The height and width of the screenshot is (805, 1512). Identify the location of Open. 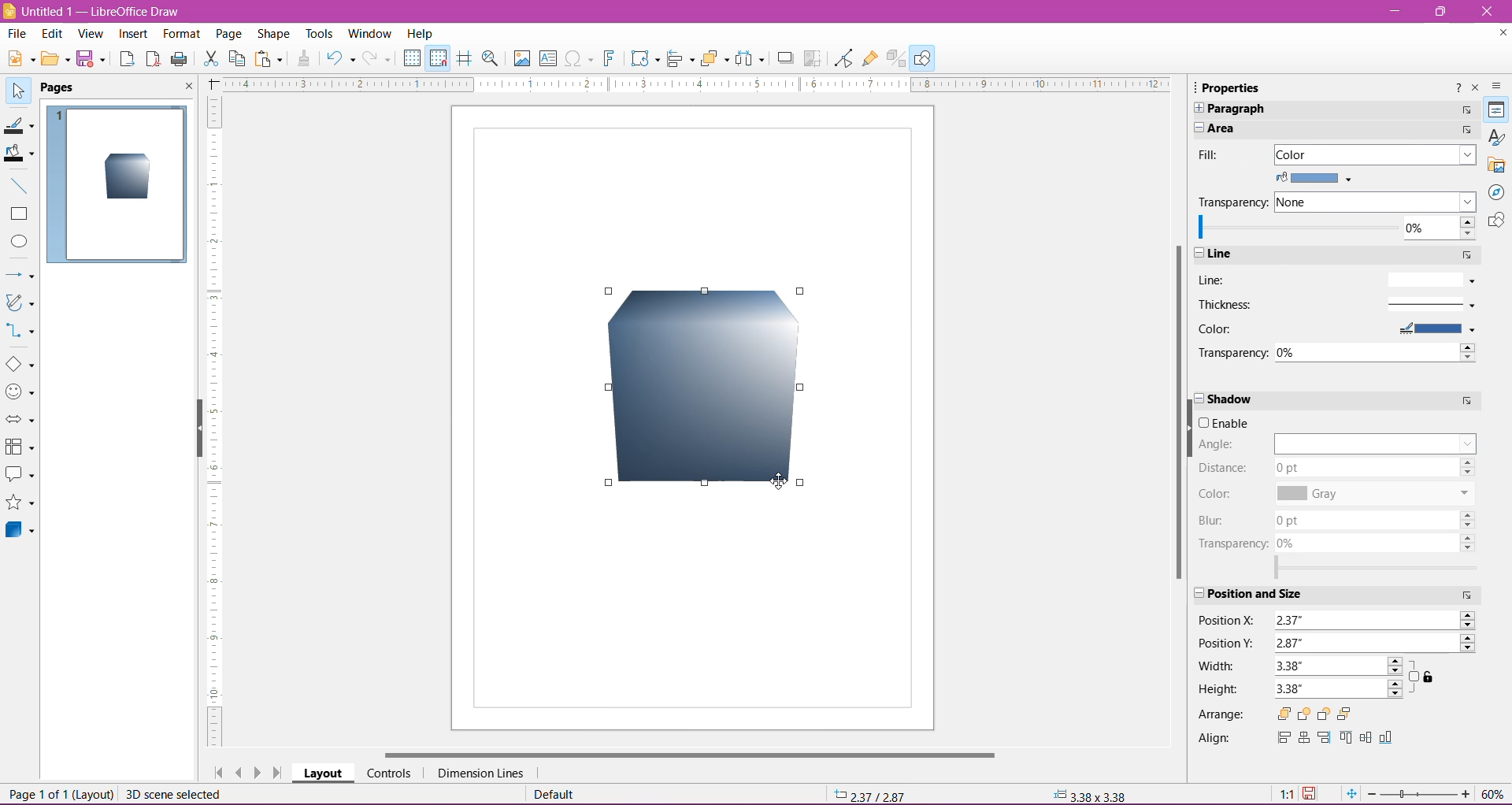
(54, 60).